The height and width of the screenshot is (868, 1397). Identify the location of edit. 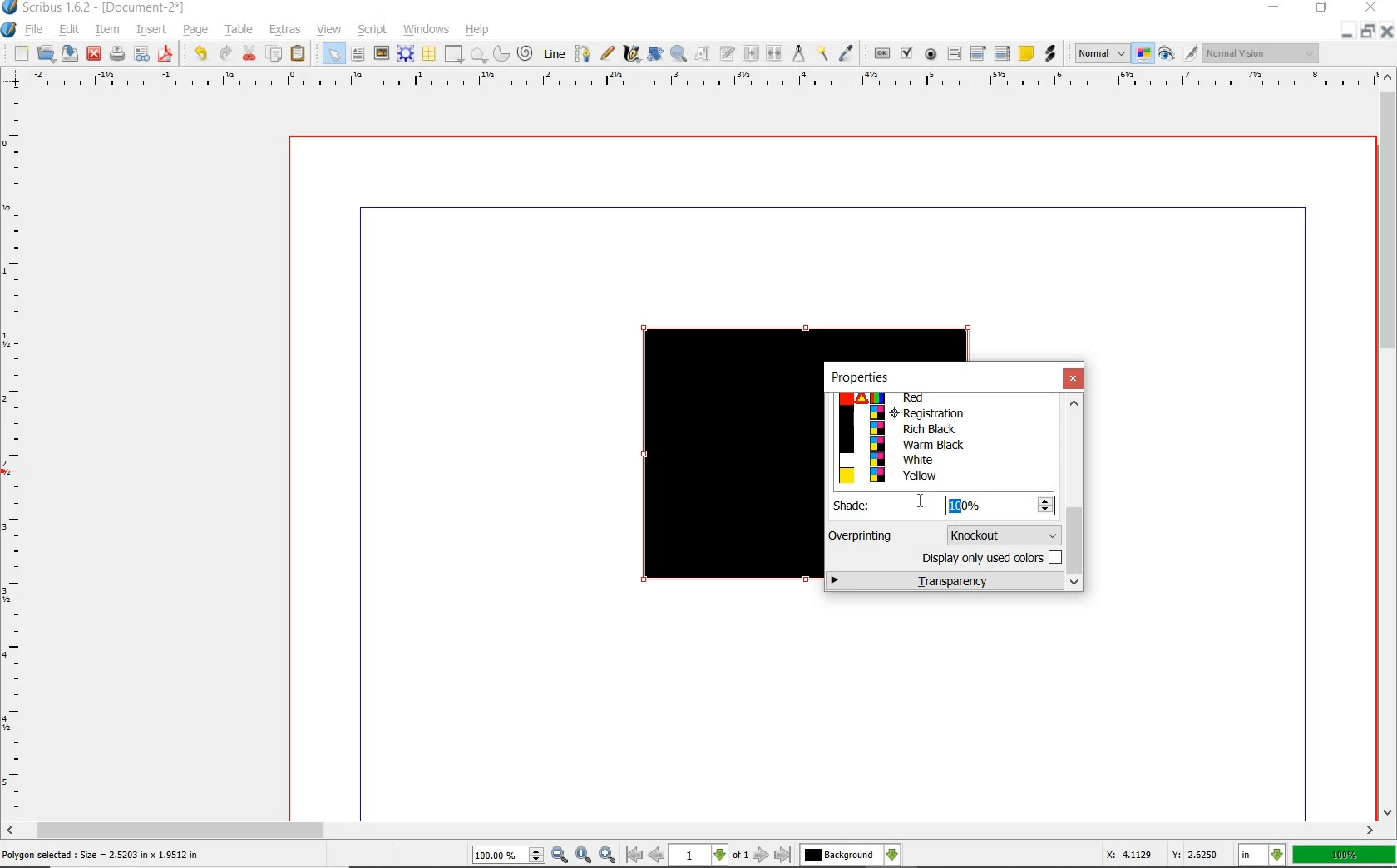
(69, 30).